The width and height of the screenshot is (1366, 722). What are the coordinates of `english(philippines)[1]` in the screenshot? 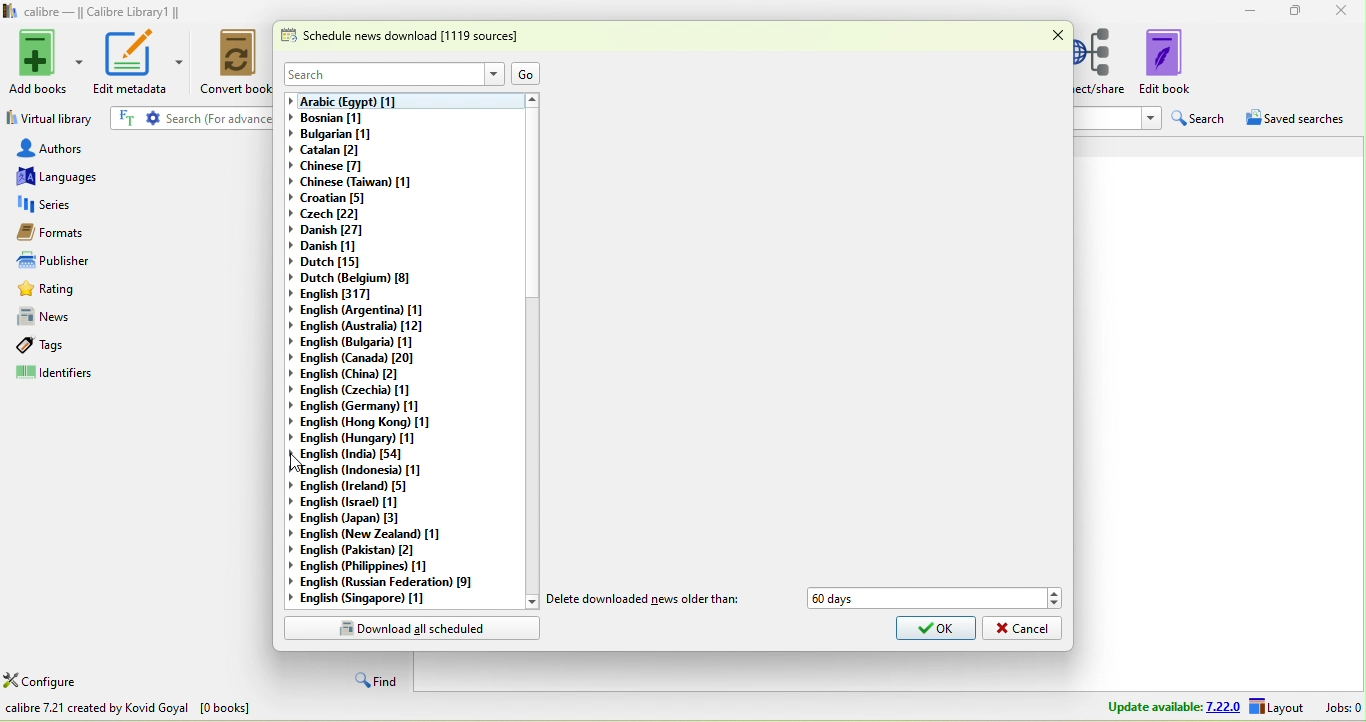 It's located at (385, 567).